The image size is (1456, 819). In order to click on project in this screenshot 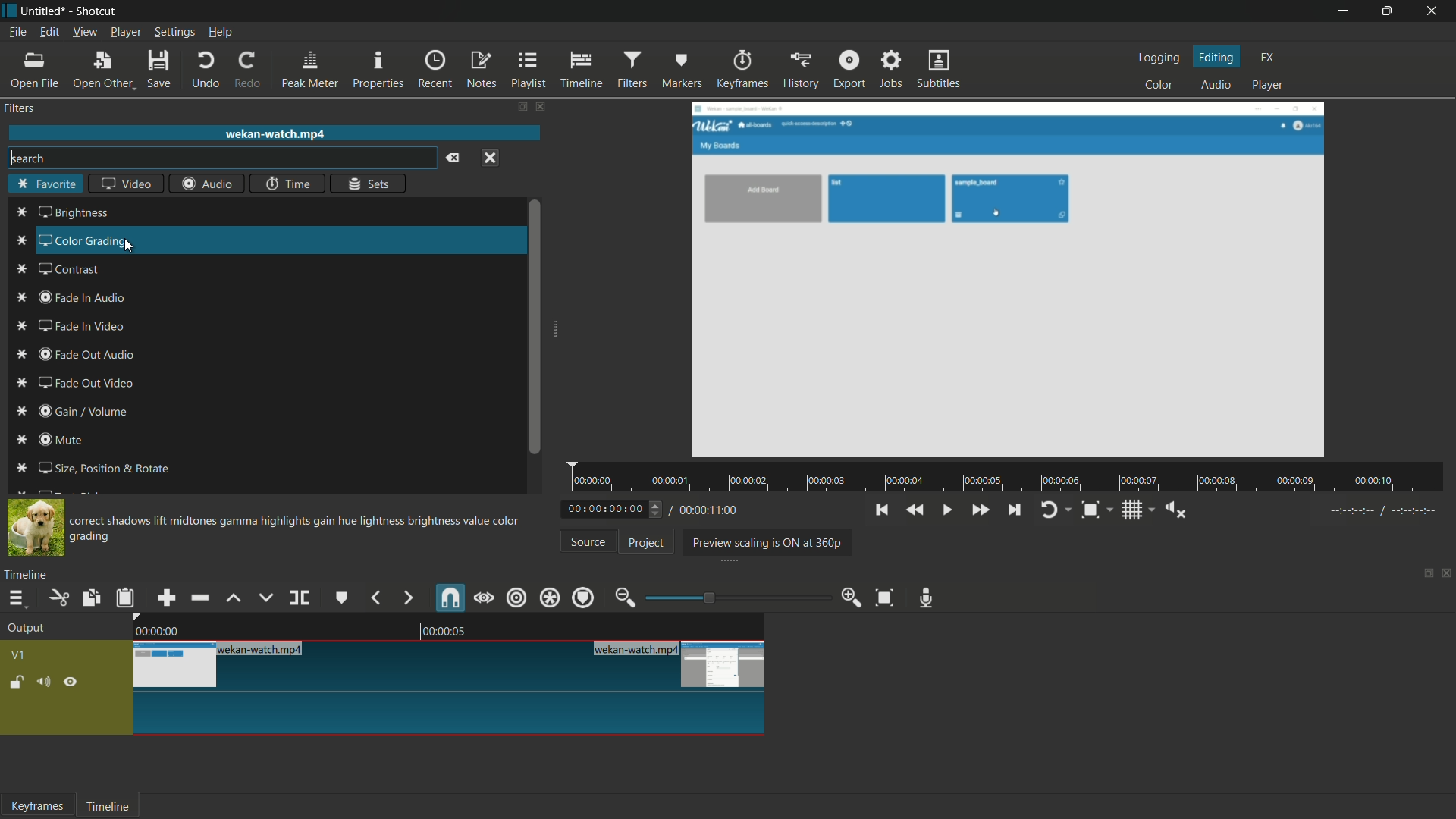, I will do `click(644, 543)`.